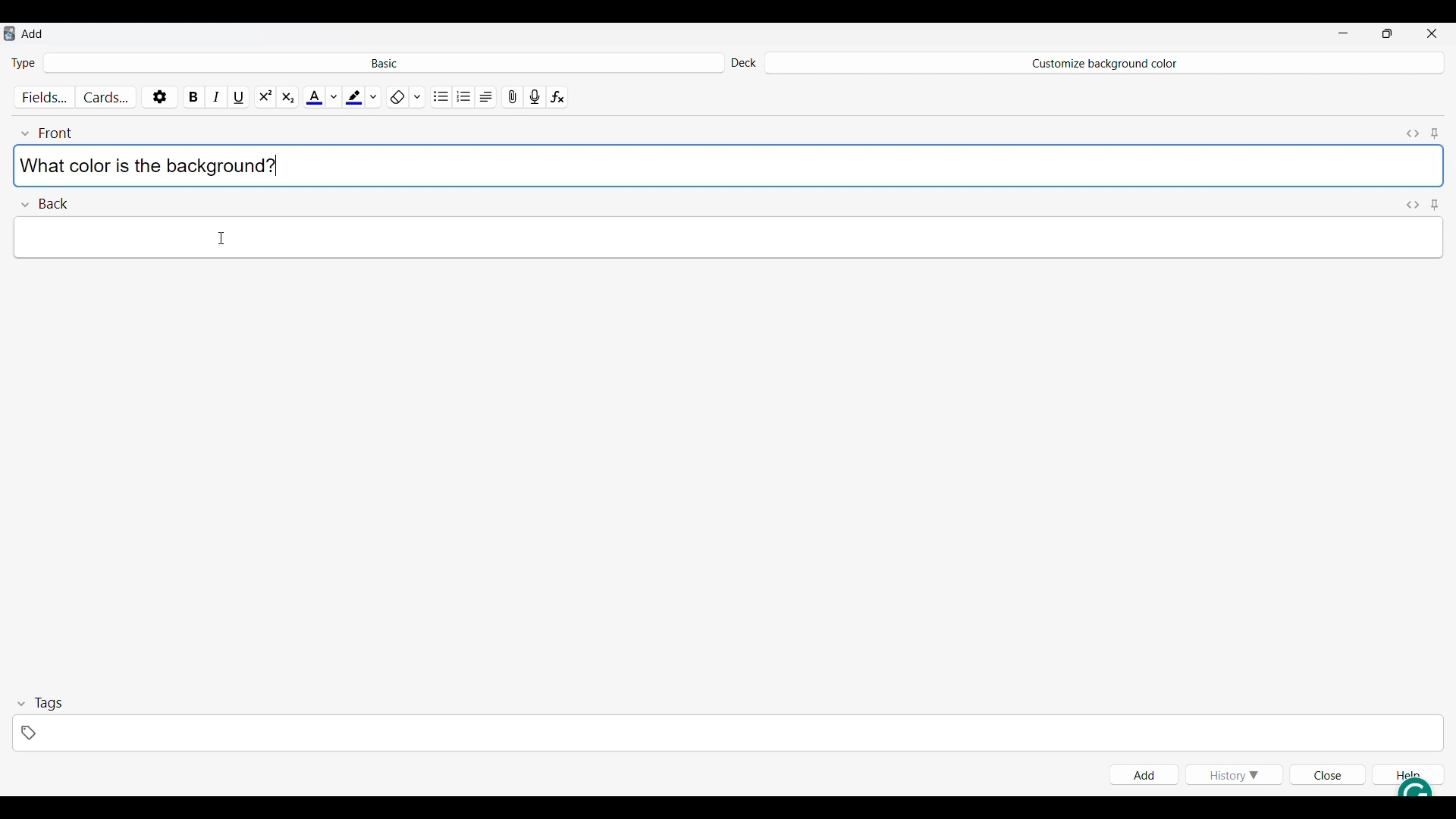 Image resolution: width=1456 pixels, height=819 pixels. What do you see at coordinates (417, 94) in the screenshot?
I see `Formatting options` at bounding box center [417, 94].